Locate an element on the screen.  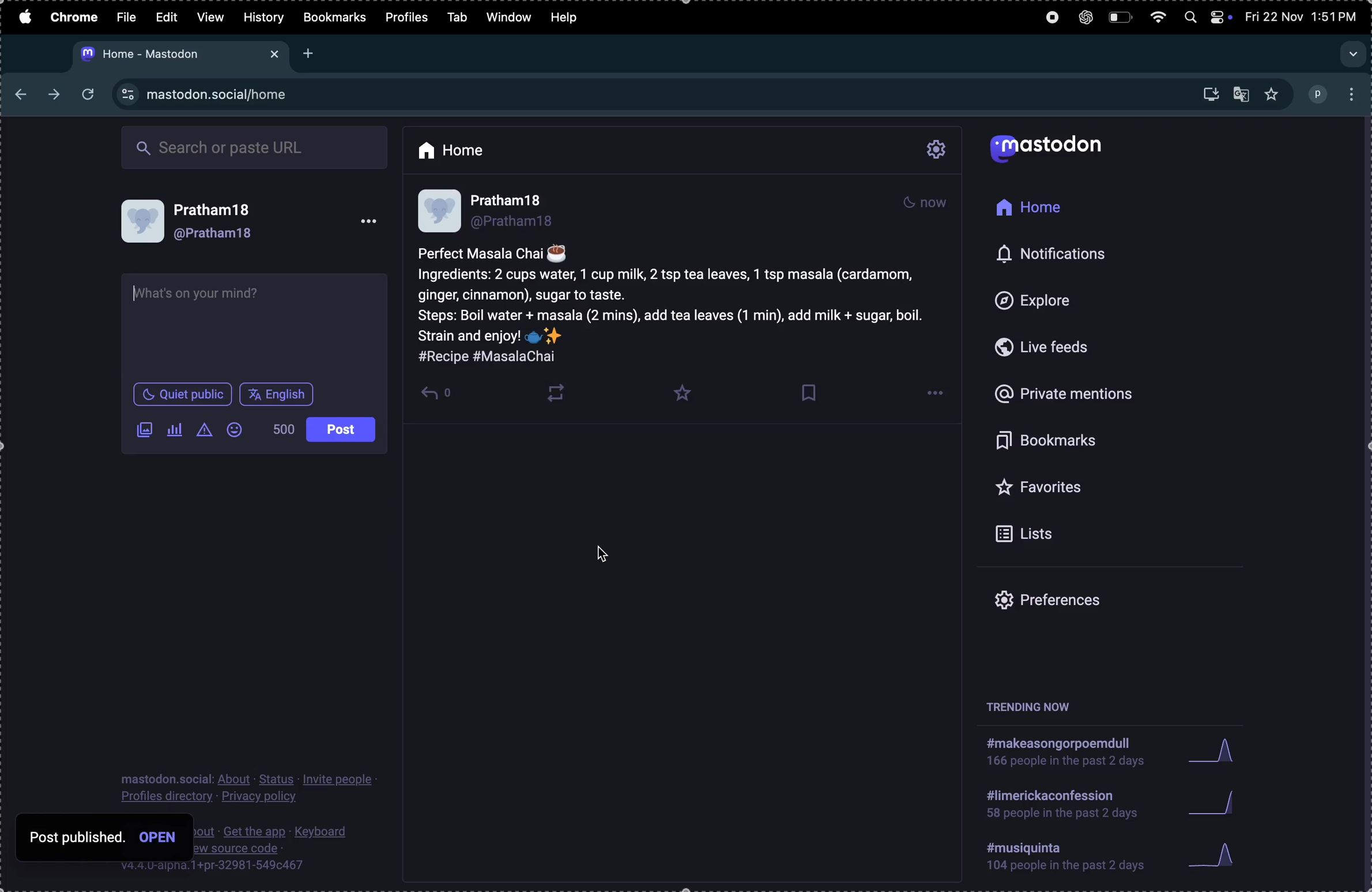
downloads is located at coordinates (1206, 92).